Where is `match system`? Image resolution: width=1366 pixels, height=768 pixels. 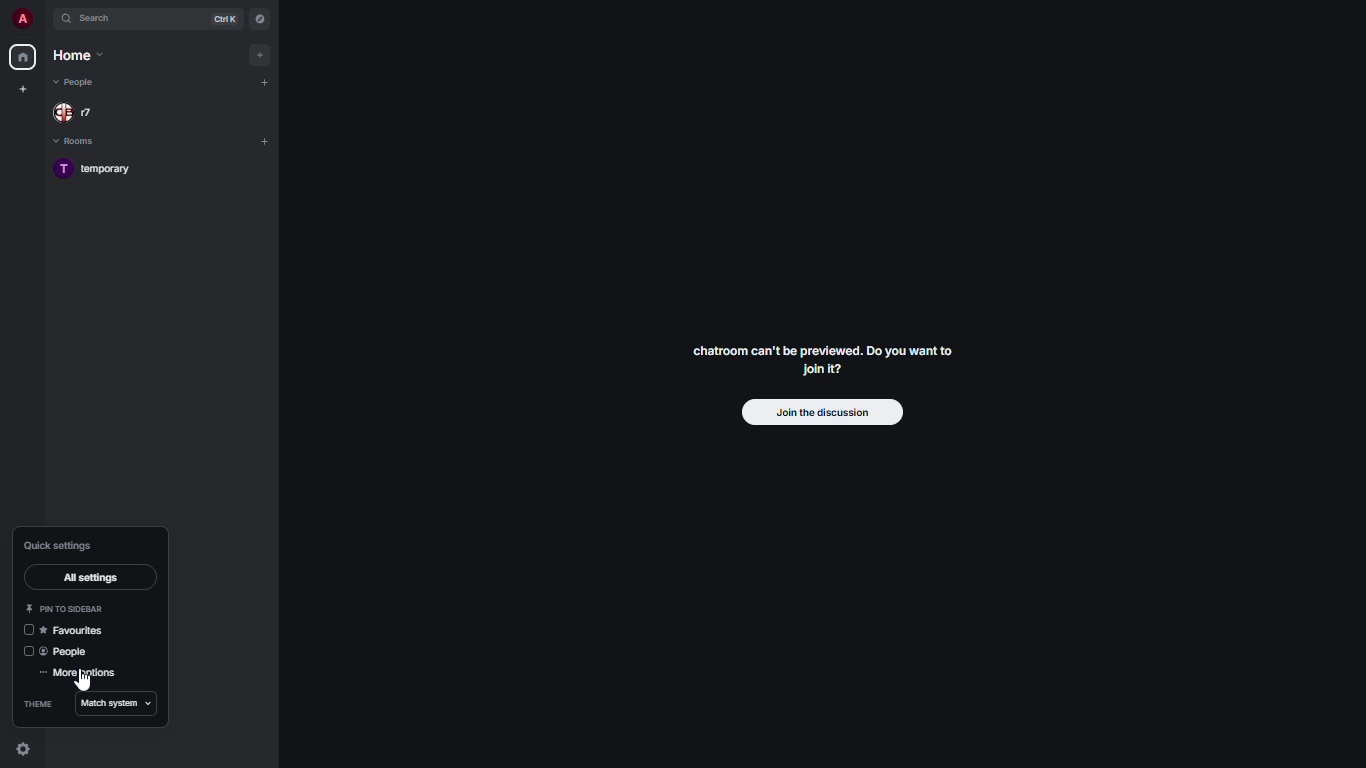
match system is located at coordinates (118, 704).